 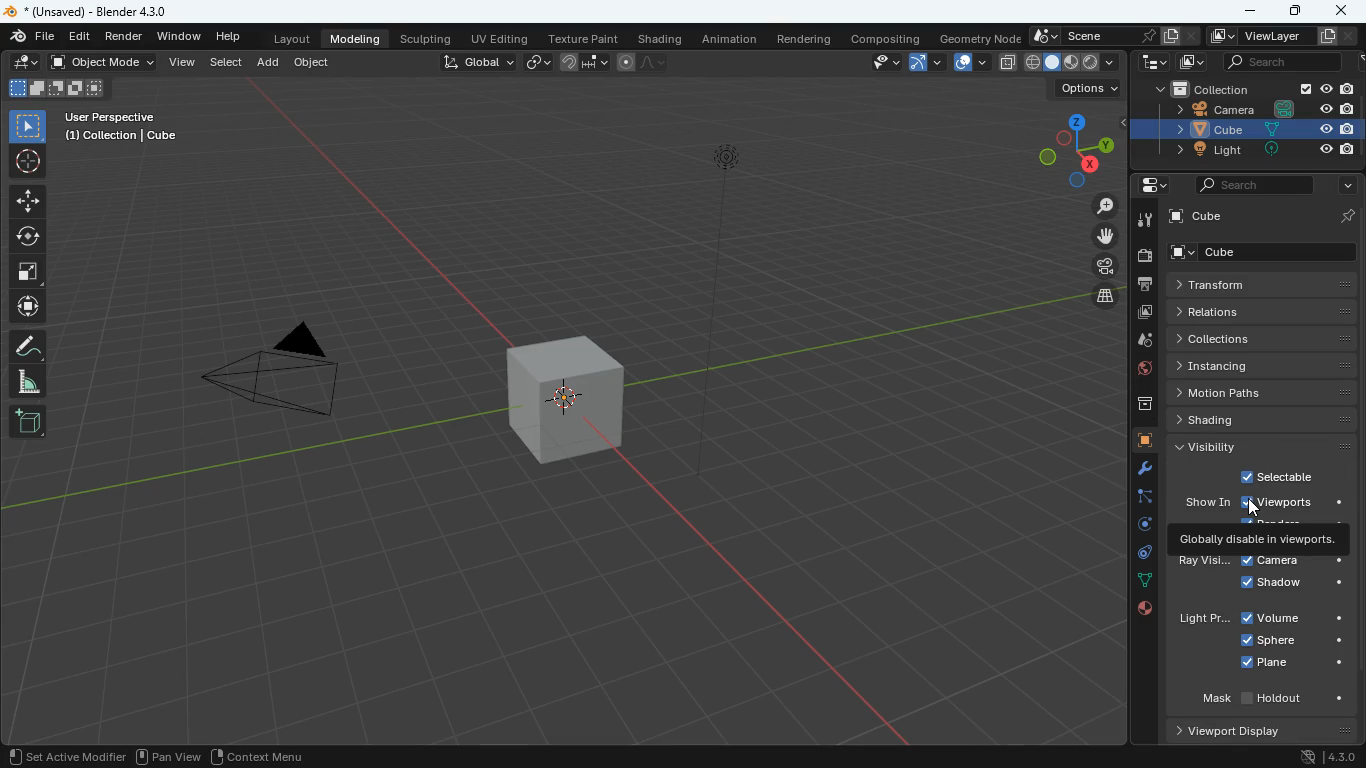 I want to click on tools, so click(x=1144, y=219).